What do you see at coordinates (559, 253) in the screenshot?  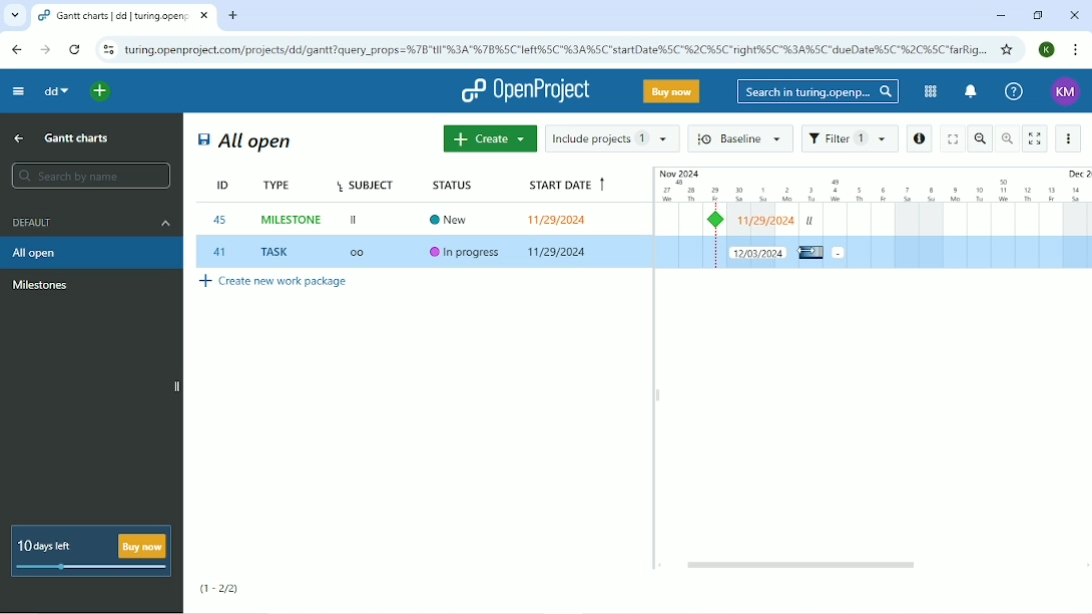 I see `11/29/2024` at bounding box center [559, 253].